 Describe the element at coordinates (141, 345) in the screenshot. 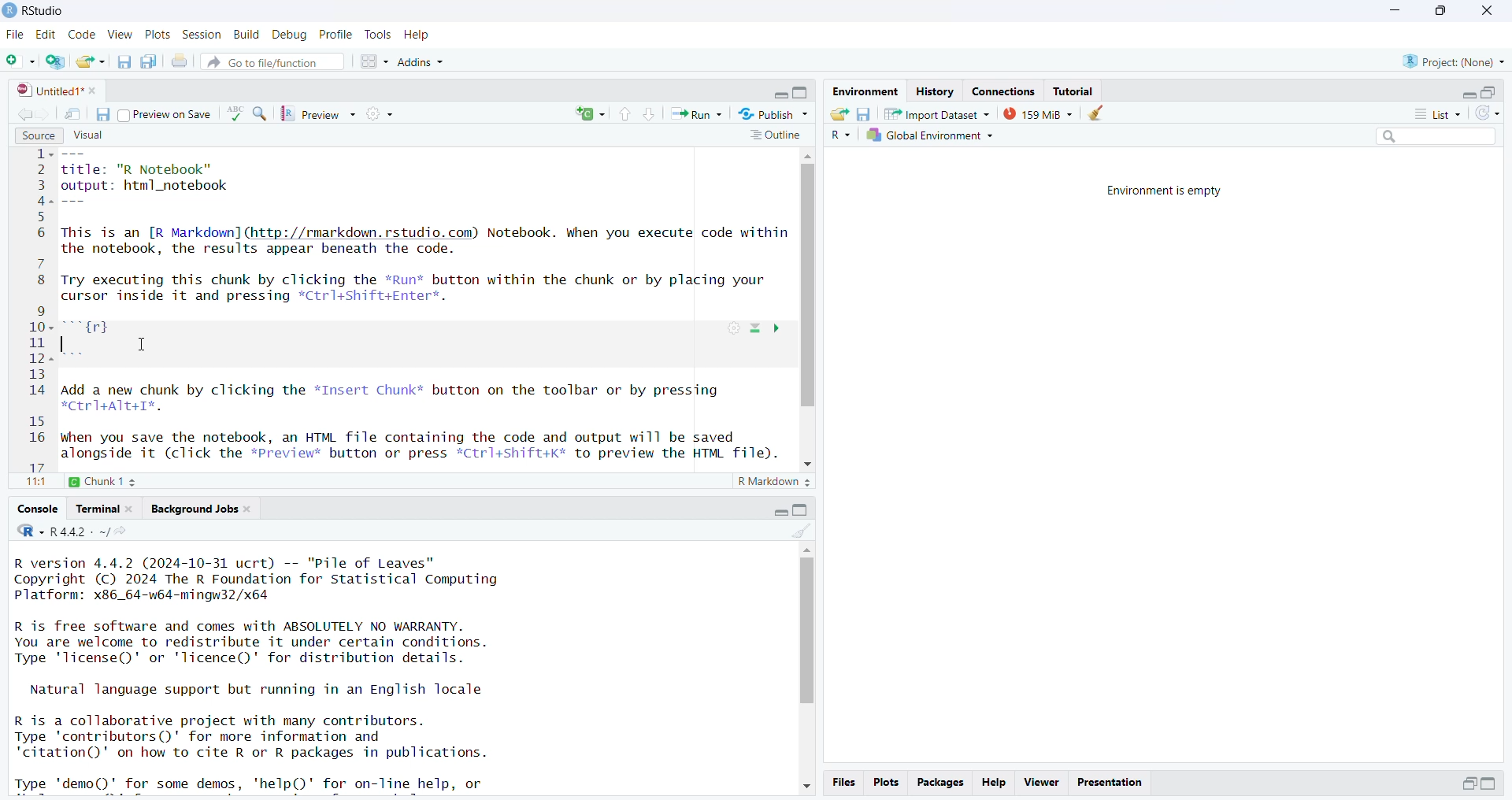

I see `cursor` at that location.